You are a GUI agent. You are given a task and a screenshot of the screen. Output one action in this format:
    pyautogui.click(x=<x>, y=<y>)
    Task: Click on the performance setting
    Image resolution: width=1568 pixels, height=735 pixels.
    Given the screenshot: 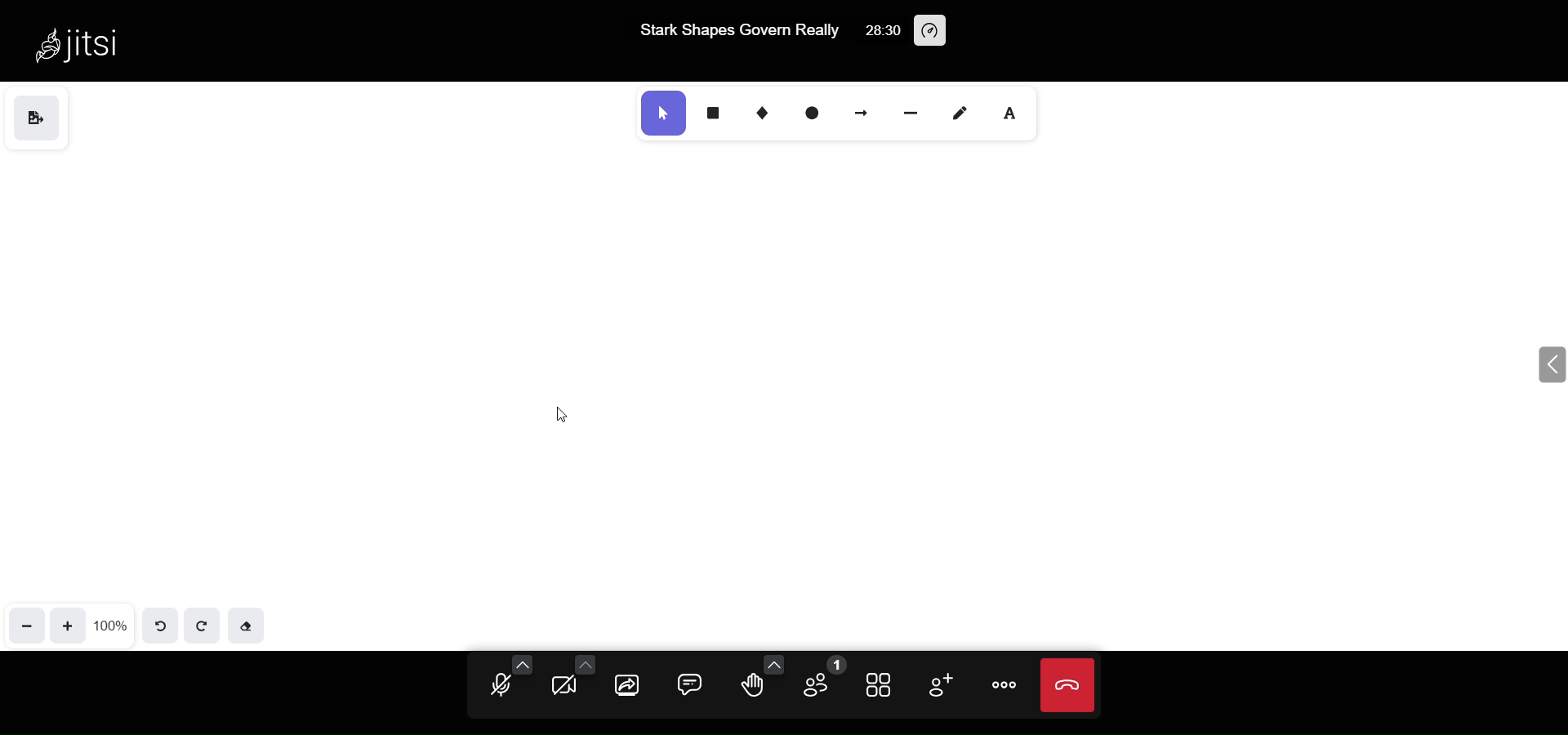 What is the action you would take?
    pyautogui.click(x=934, y=32)
    